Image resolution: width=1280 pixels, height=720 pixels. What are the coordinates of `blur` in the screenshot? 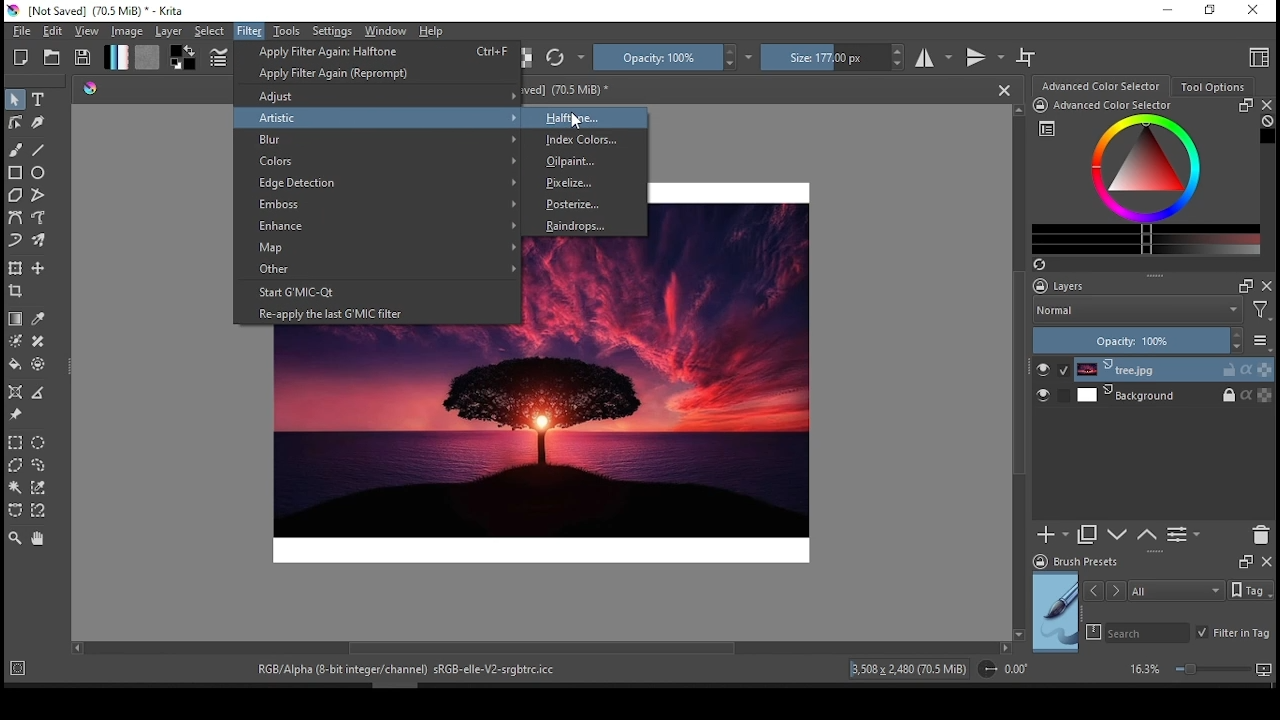 It's located at (377, 139).